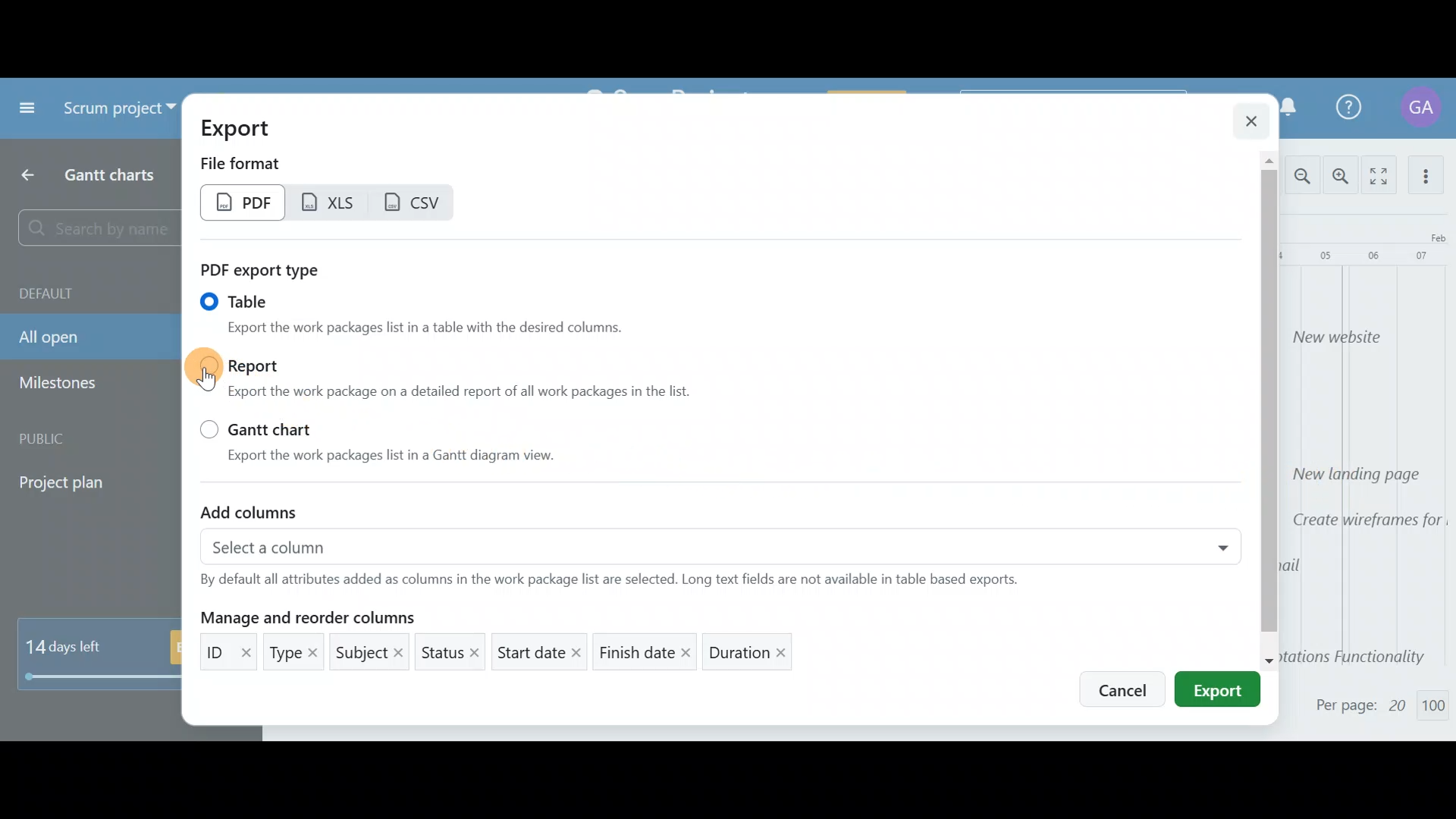 The height and width of the screenshot is (819, 1456). What do you see at coordinates (324, 205) in the screenshot?
I see `XLS` at bounding box center [324, 205].